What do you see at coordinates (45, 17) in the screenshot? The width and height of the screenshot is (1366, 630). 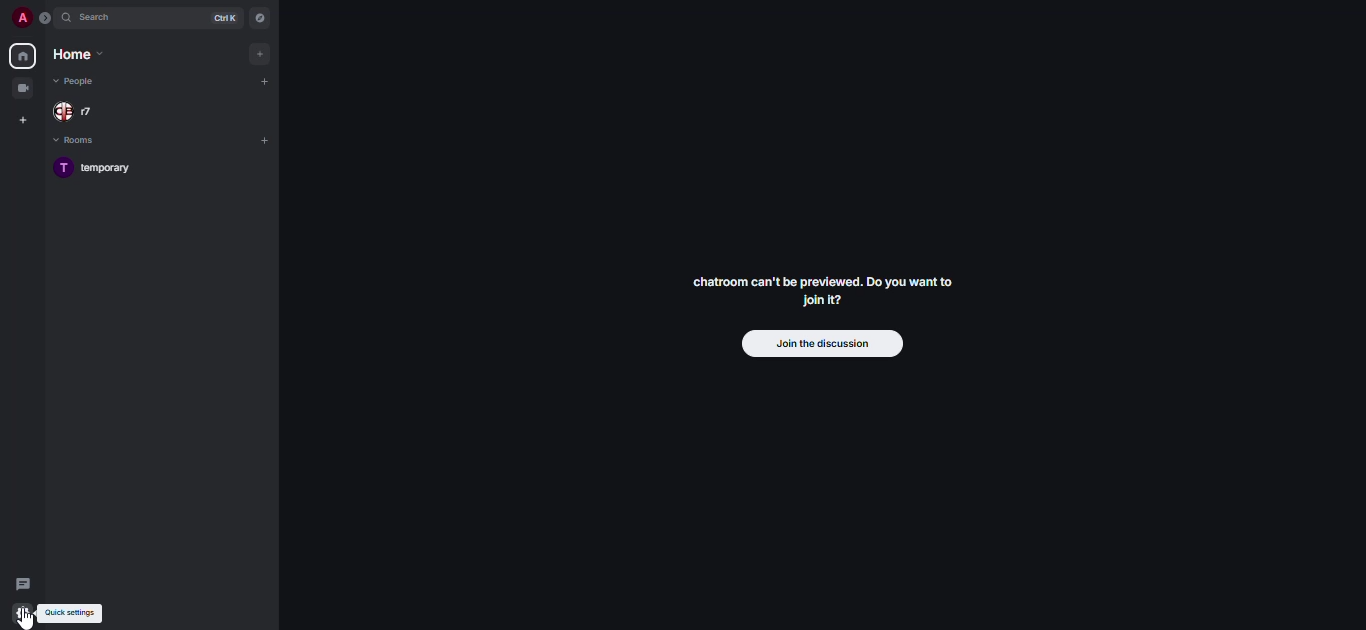 I see `expand` at bounding box center [45, 17].